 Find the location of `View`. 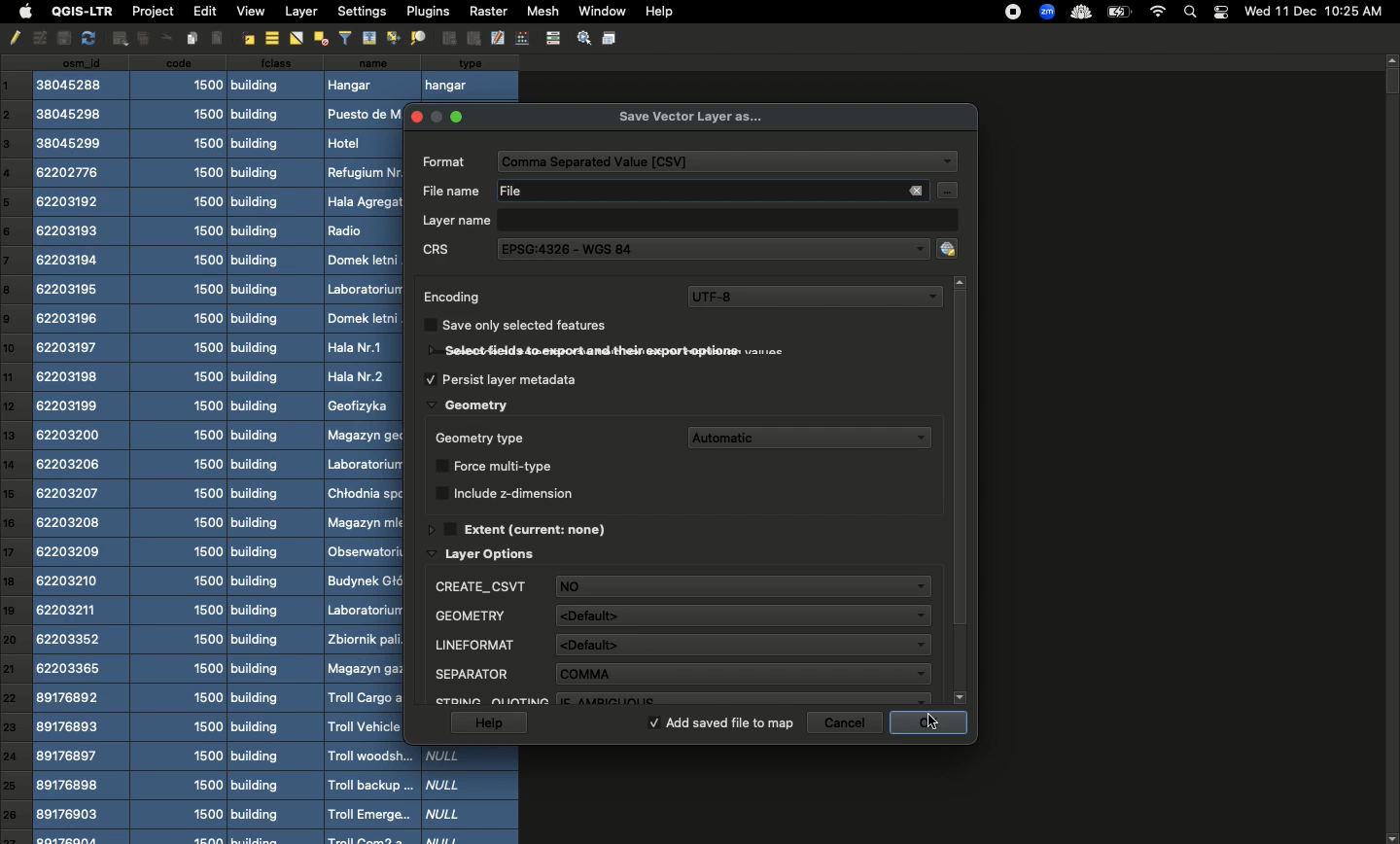

View is located at coordinates (250, 12).